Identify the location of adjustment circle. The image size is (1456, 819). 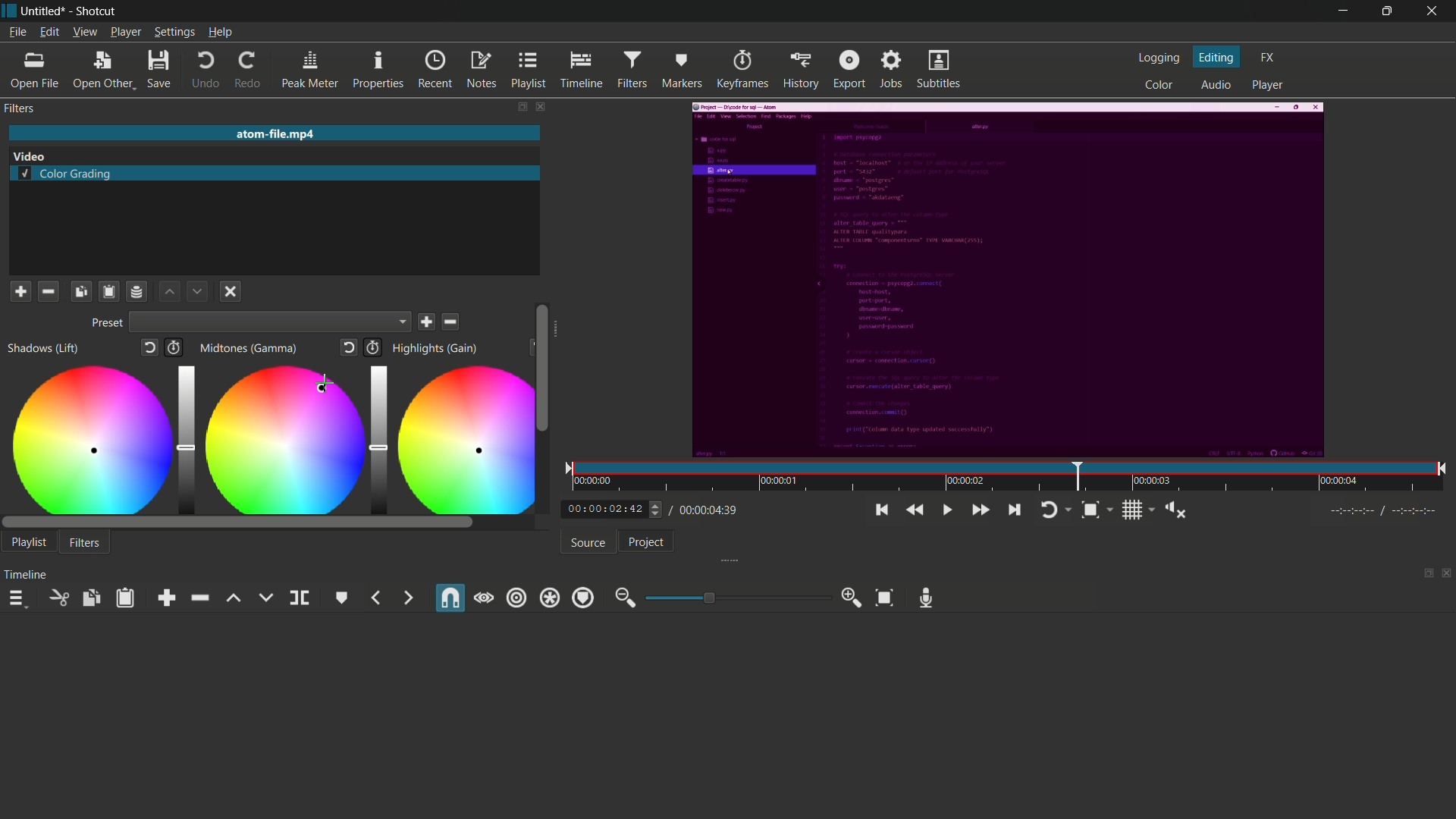
(89, 438).